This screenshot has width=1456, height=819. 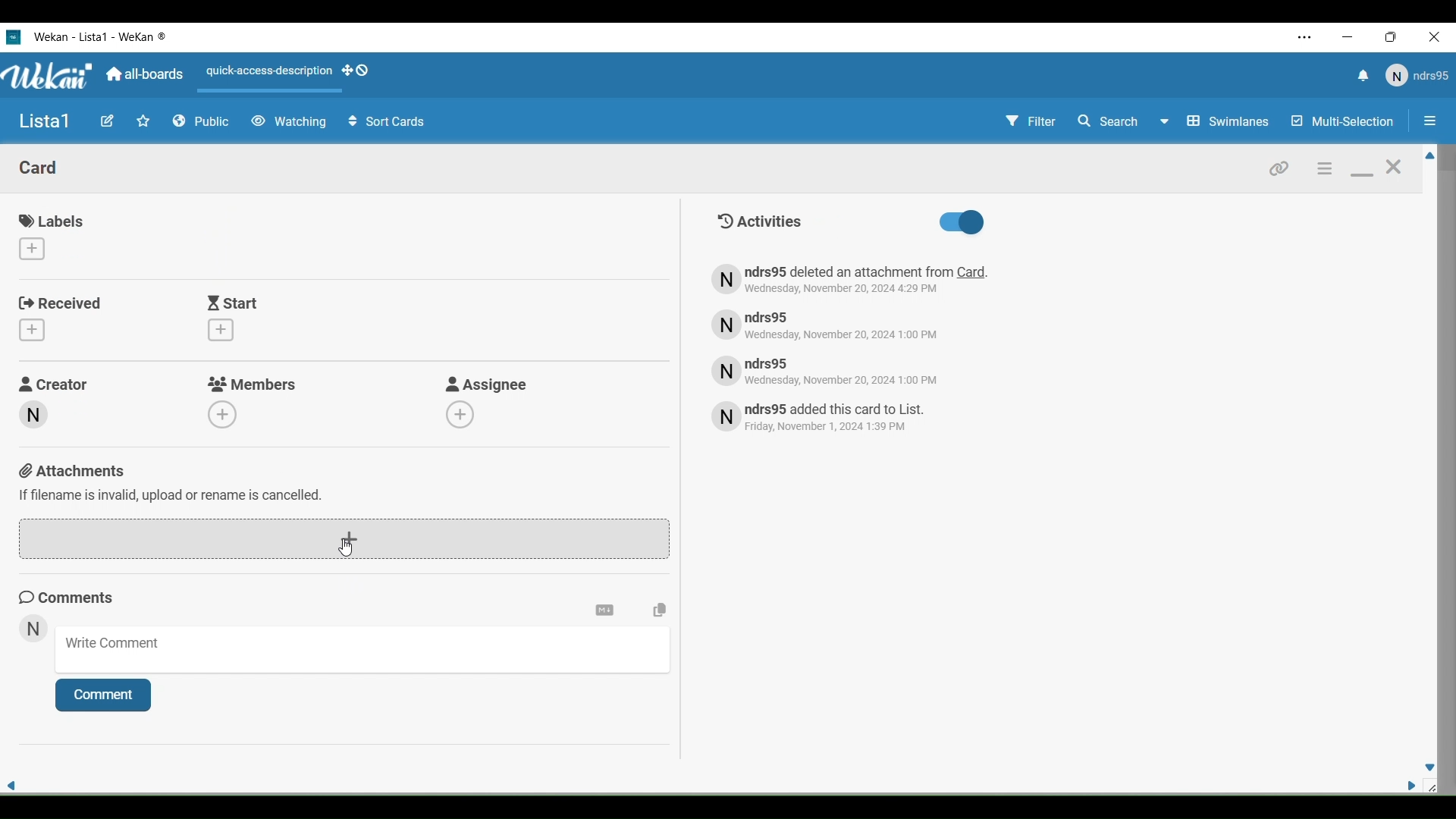 What do you see at coordinates (288, 122) in the screenshot?
I see `Watching` at bounding box center [288, 122].